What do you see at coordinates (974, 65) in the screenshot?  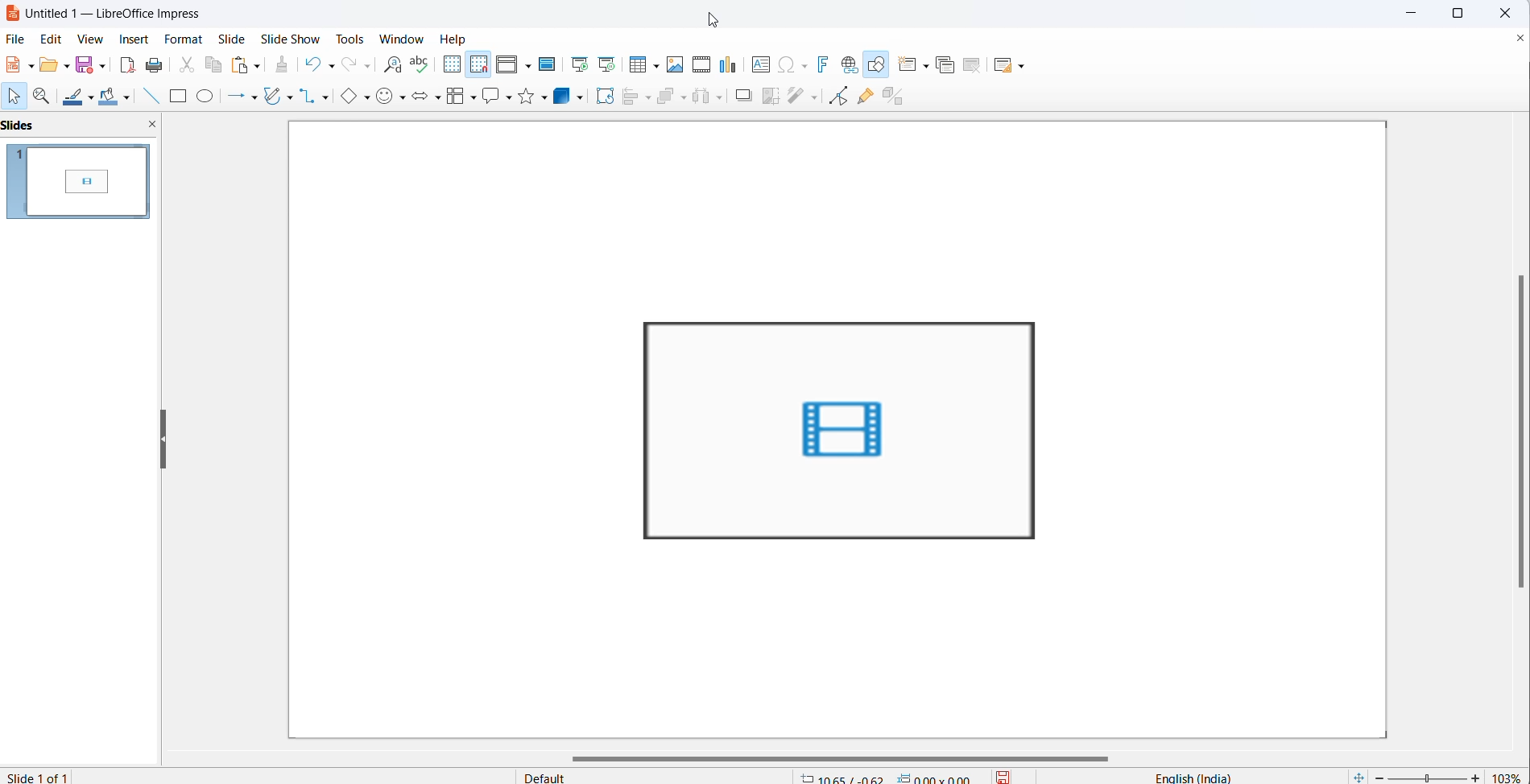 I see `delete slide` at bounding box center [974, 65].